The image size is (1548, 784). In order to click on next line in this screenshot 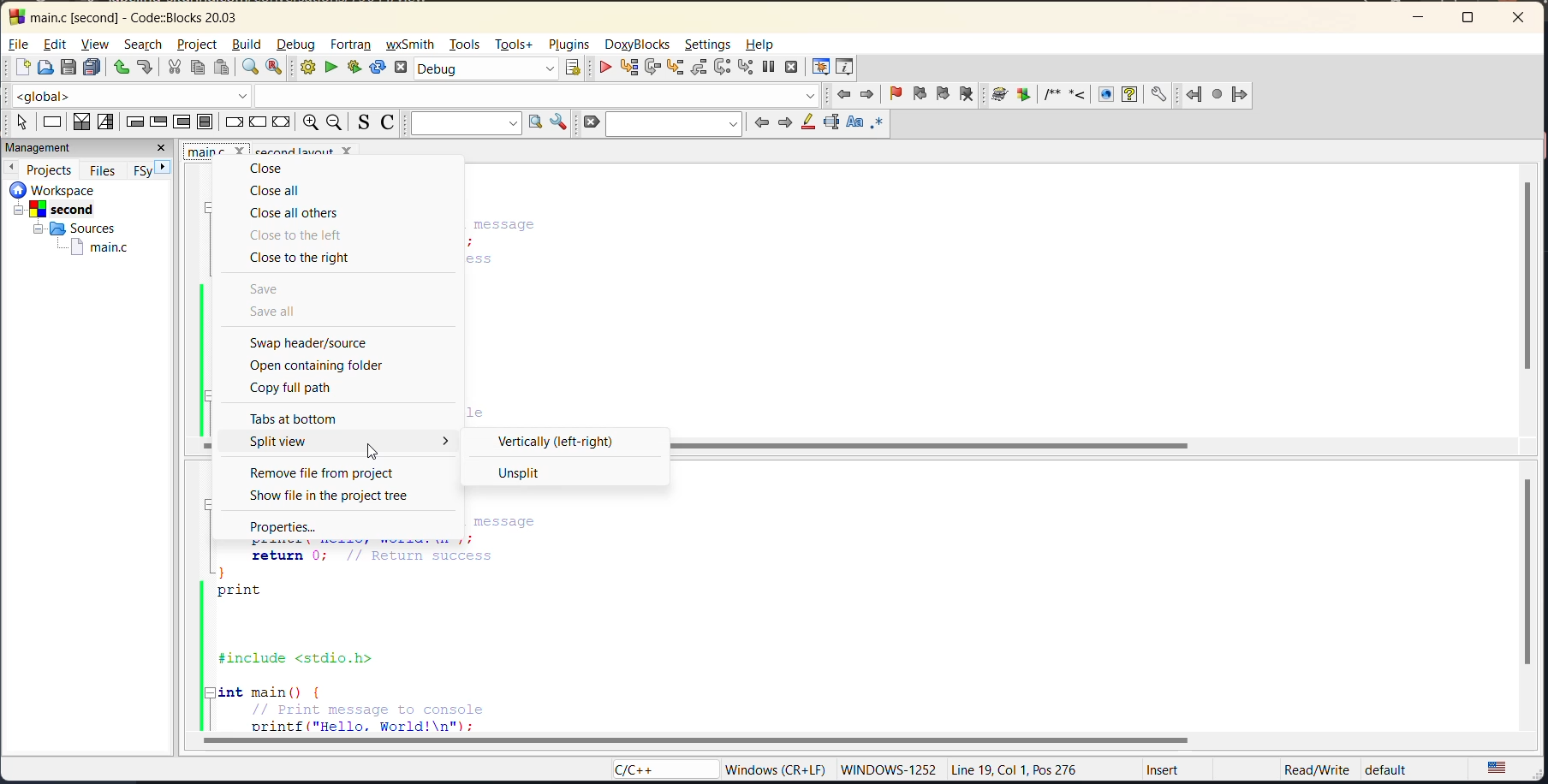, I will do `click(656, 68)`.